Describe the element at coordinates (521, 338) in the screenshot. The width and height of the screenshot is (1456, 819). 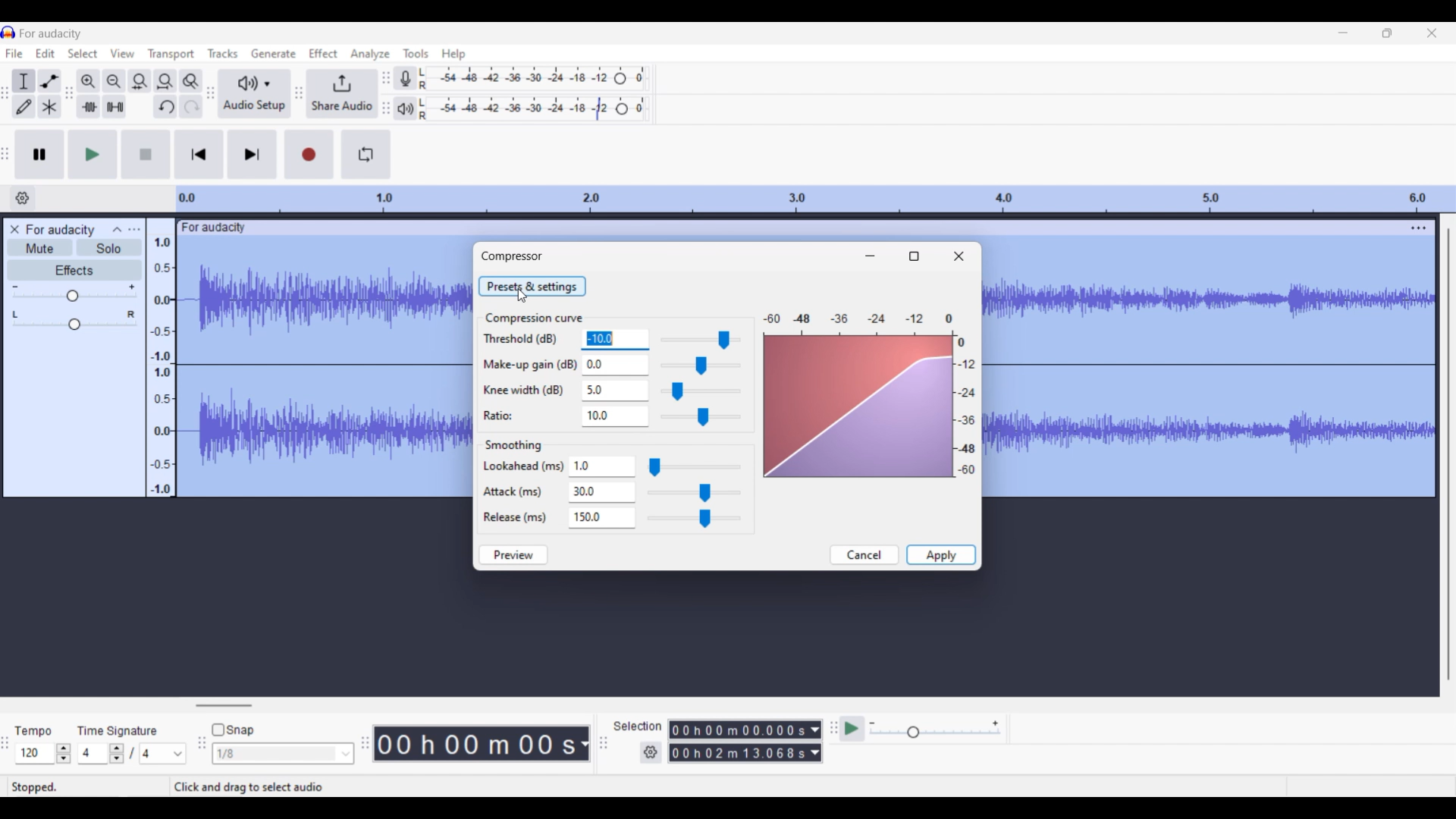
I see `threshold (dB)` at that location.